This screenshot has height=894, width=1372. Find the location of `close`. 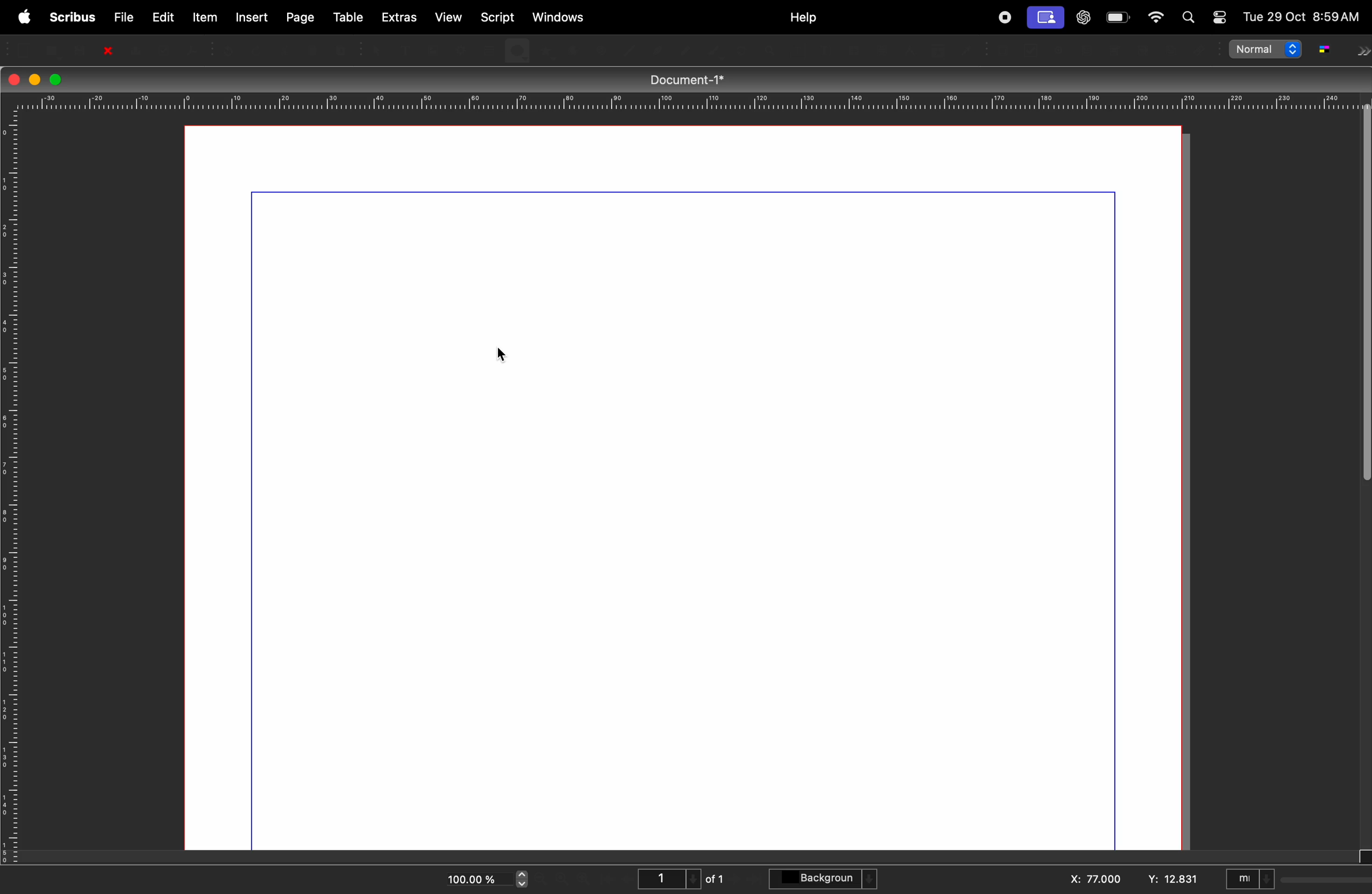

close is located at coordinates (107, 49).